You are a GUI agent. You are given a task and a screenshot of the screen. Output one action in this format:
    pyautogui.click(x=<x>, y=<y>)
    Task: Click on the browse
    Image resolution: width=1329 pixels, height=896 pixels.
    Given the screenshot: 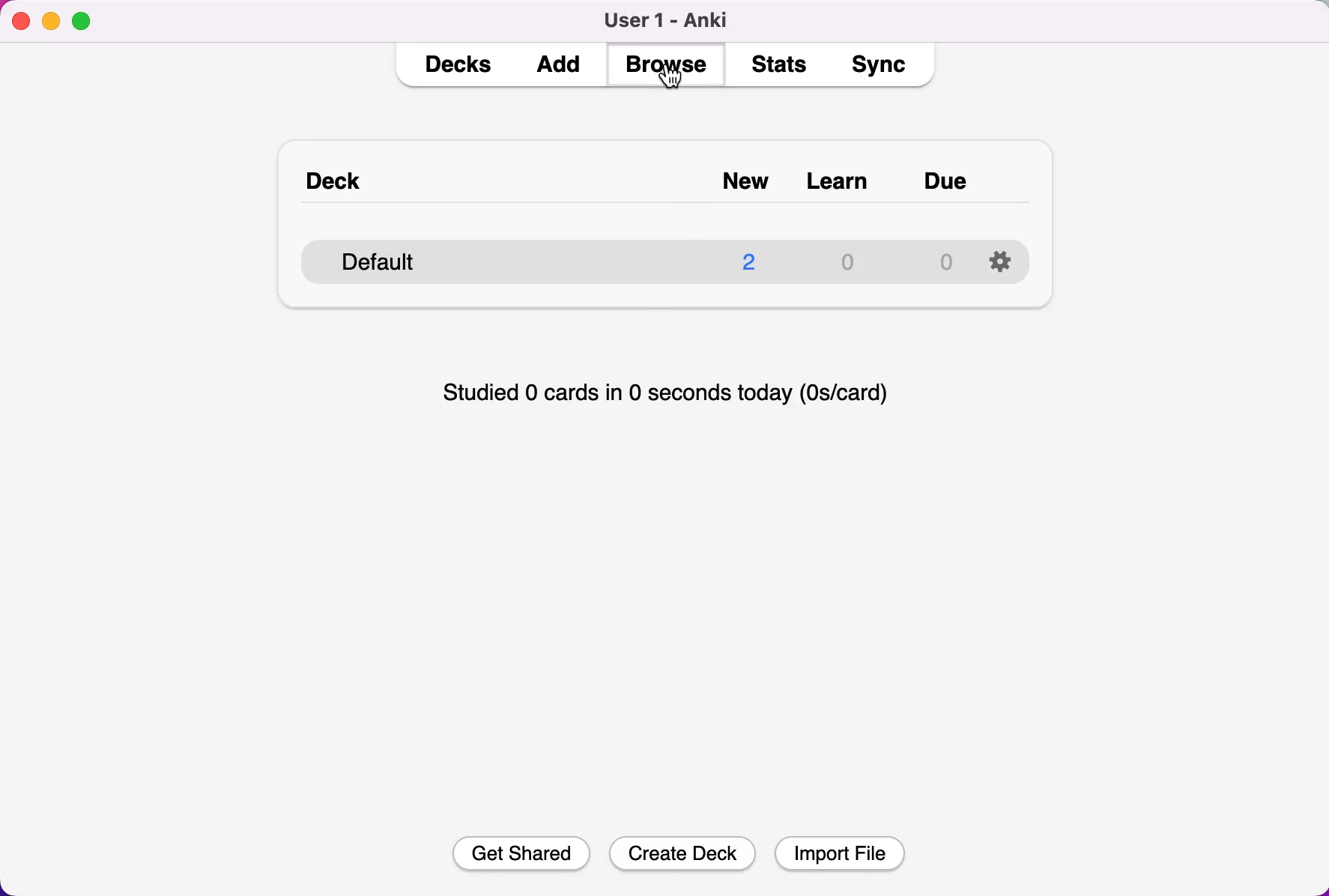 What is the action you would take?
    pyautogui.click(x=667, y=67)
    